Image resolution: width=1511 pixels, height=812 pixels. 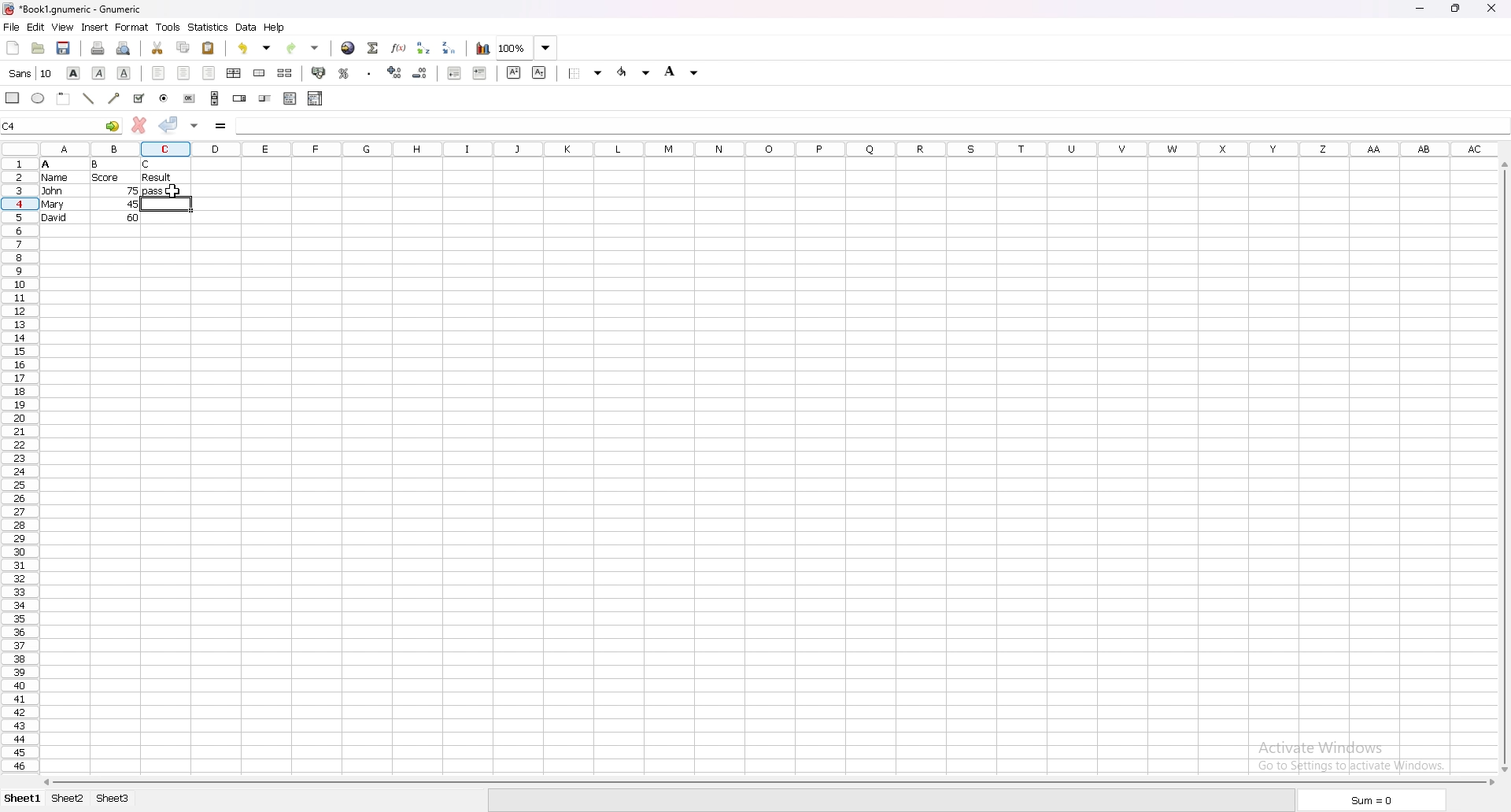 What do you see at coordinates (481, 73) in the screenshot?
I see `increase indent` at bounding box center [481, 73].